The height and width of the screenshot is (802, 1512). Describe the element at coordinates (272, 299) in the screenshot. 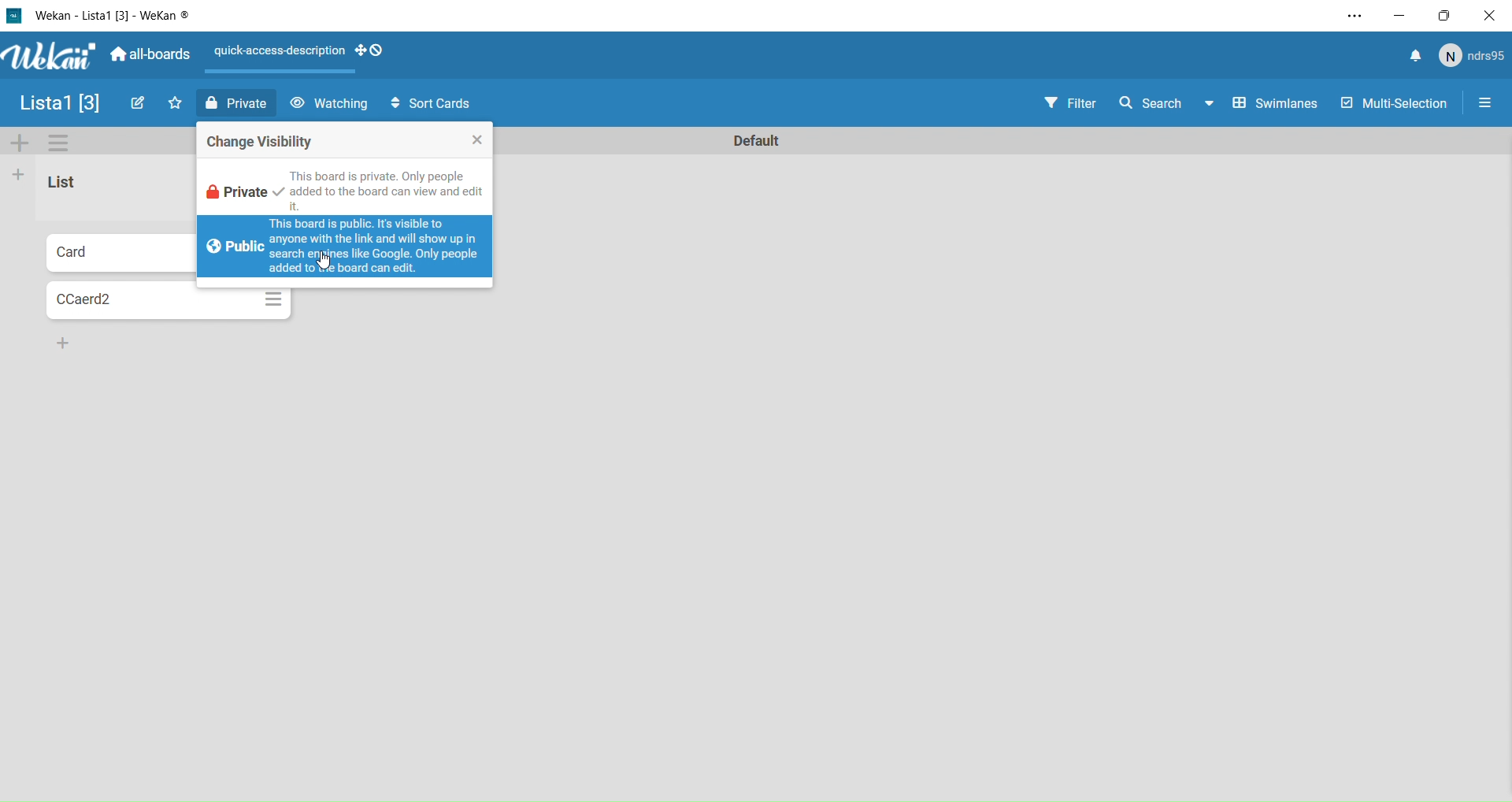

I see `Options` at that location.